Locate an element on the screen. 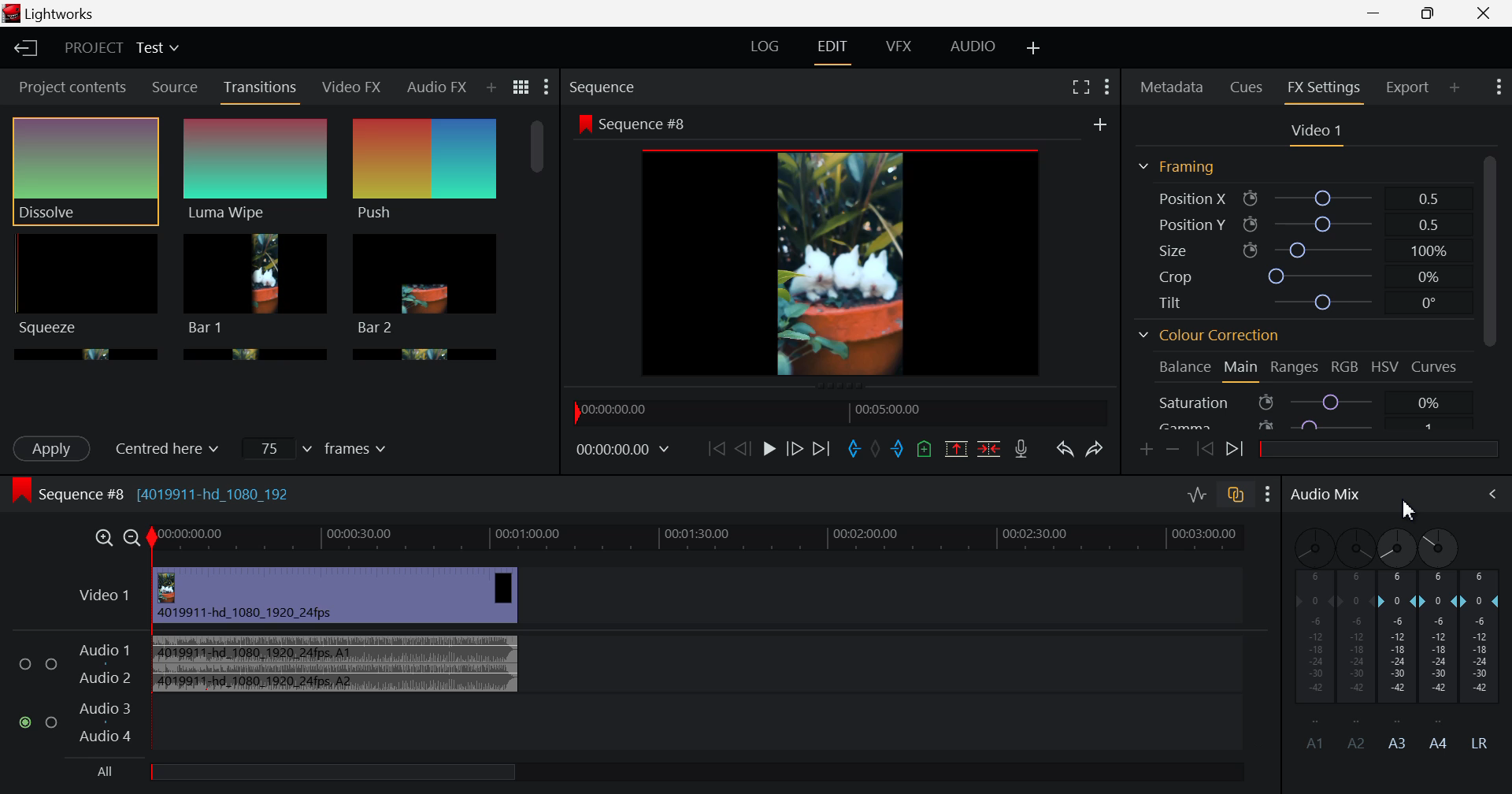 Image resolution: width=1512 pixels, height=794 pixels. Sequence Preview Screen is located at coordinates (844, 247).